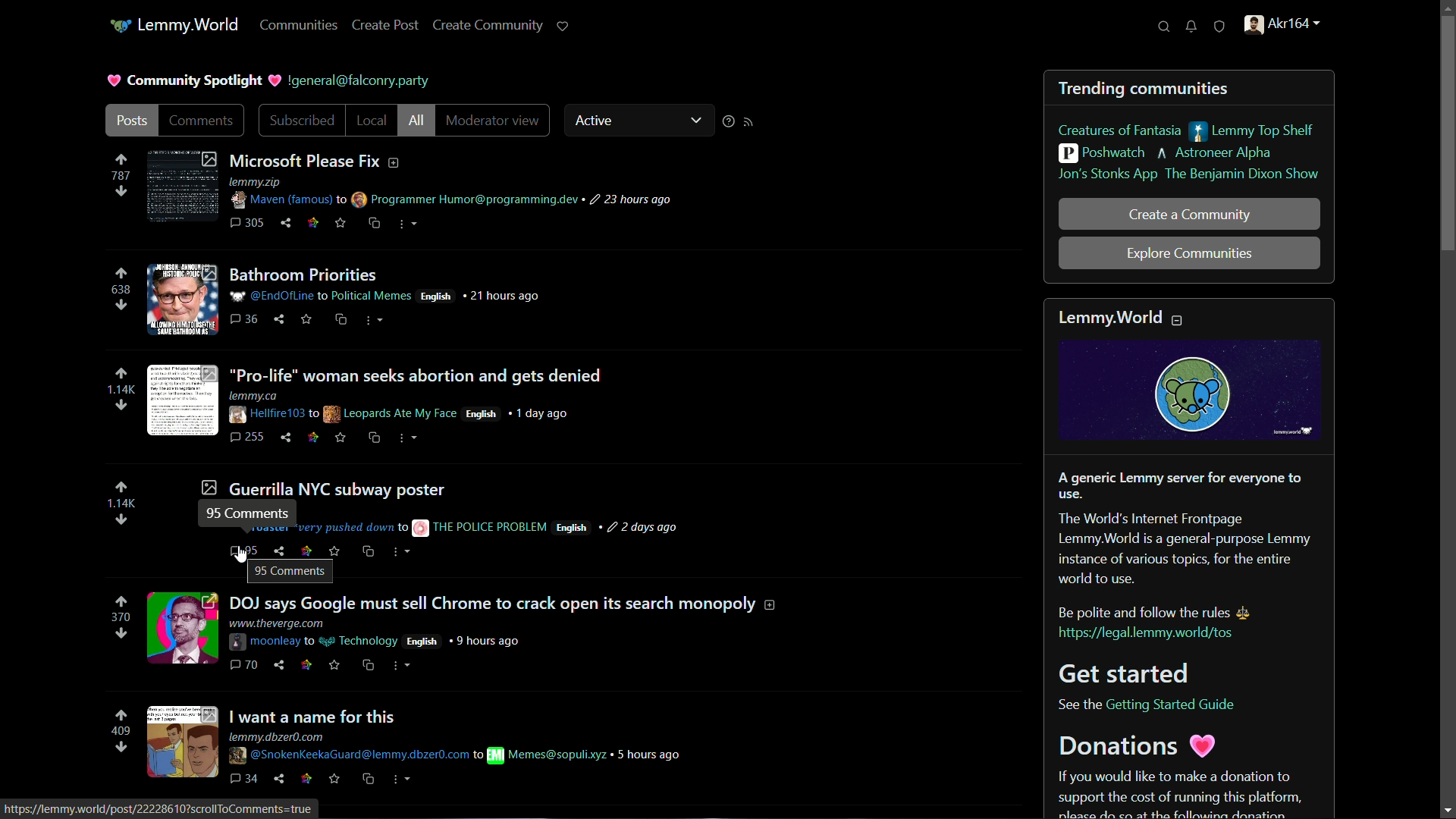 This screenshot has width=1456, height=819. I want to click on upvote, so click(122, 715).